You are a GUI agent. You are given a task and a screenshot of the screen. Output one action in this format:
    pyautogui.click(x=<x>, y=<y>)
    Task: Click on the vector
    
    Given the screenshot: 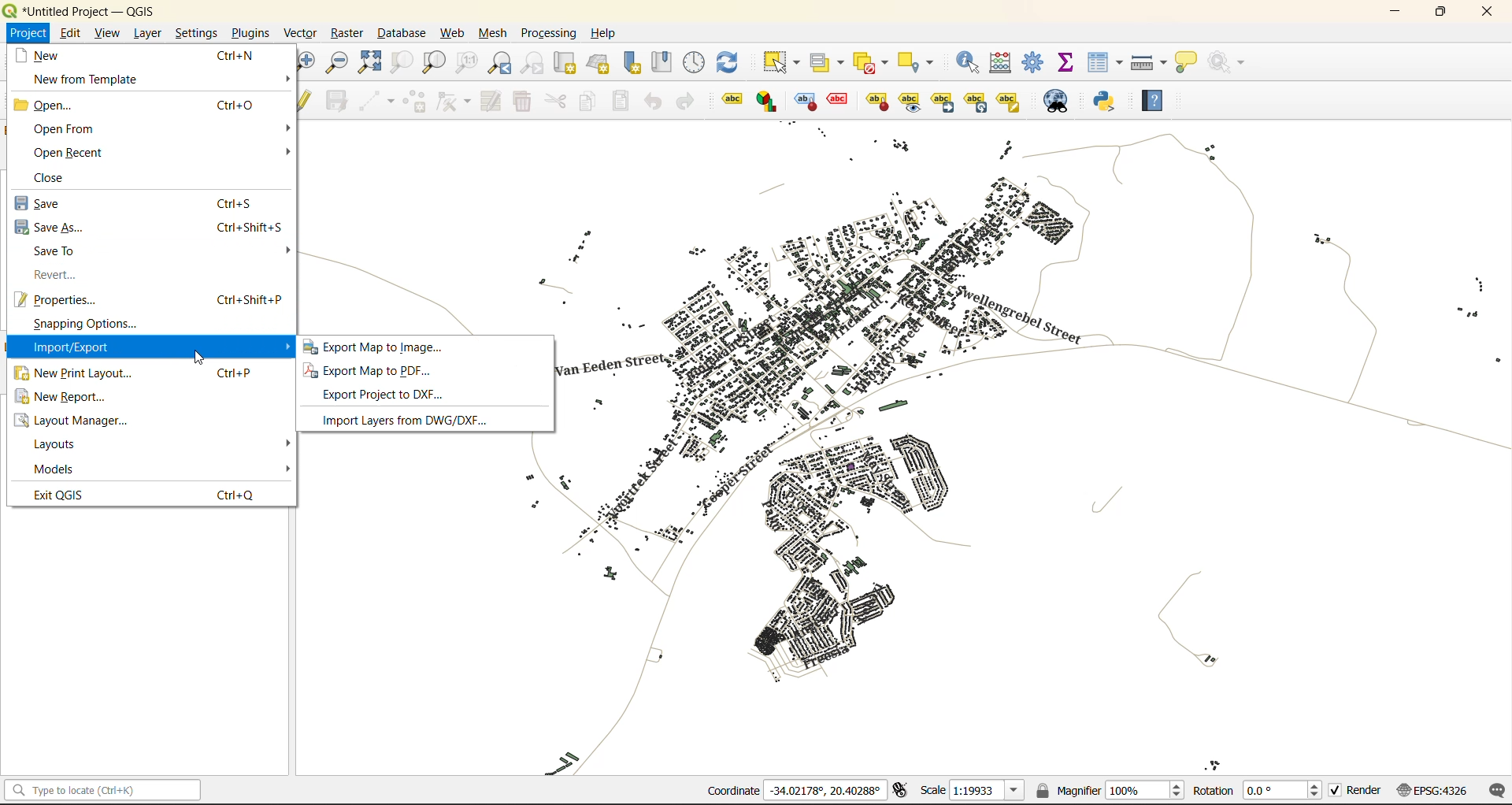 What is the action you would take?
    pyautogui.click(x=299, y=32)
    